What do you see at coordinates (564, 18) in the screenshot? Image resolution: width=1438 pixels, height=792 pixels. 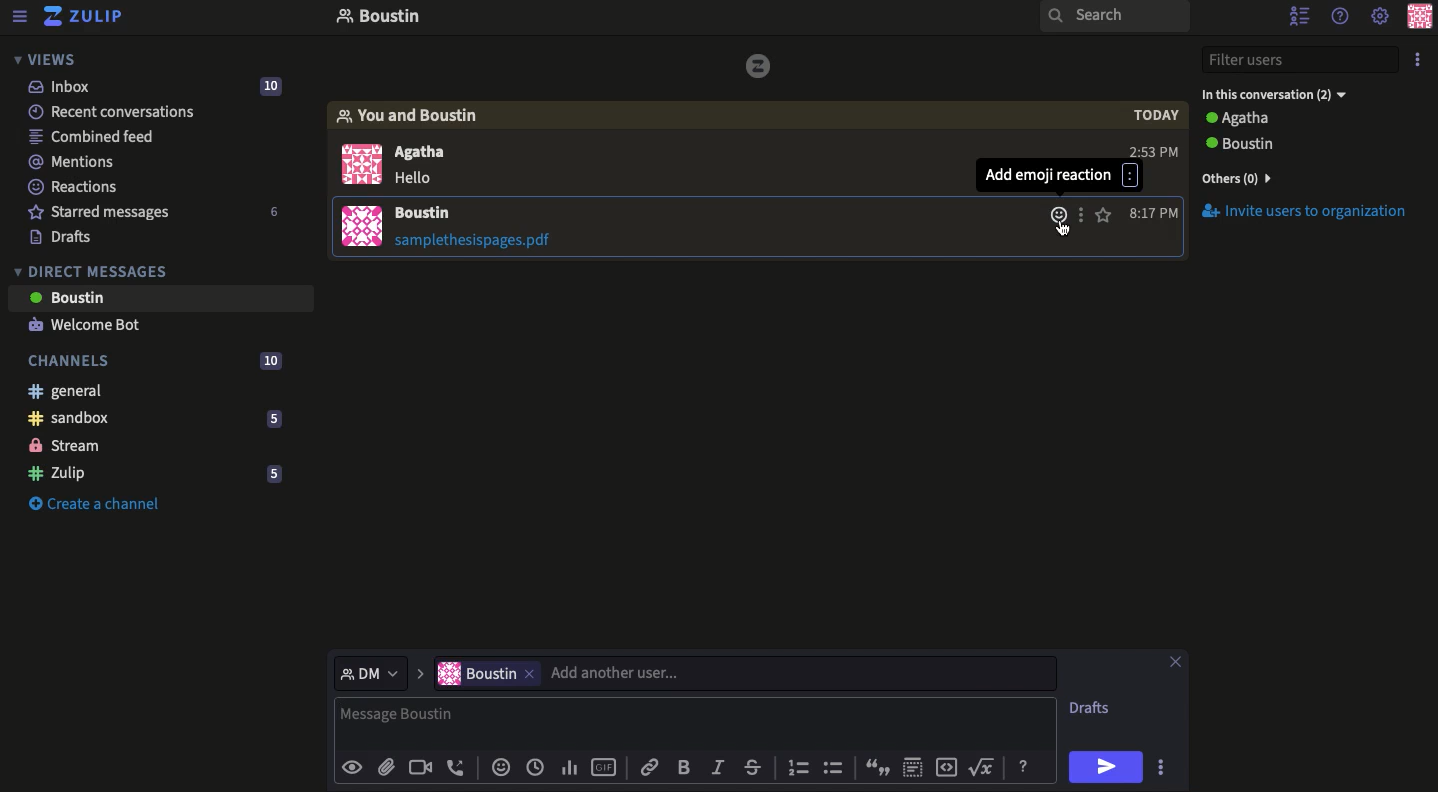 I see `Inbox` at bounding box center [564, 18].